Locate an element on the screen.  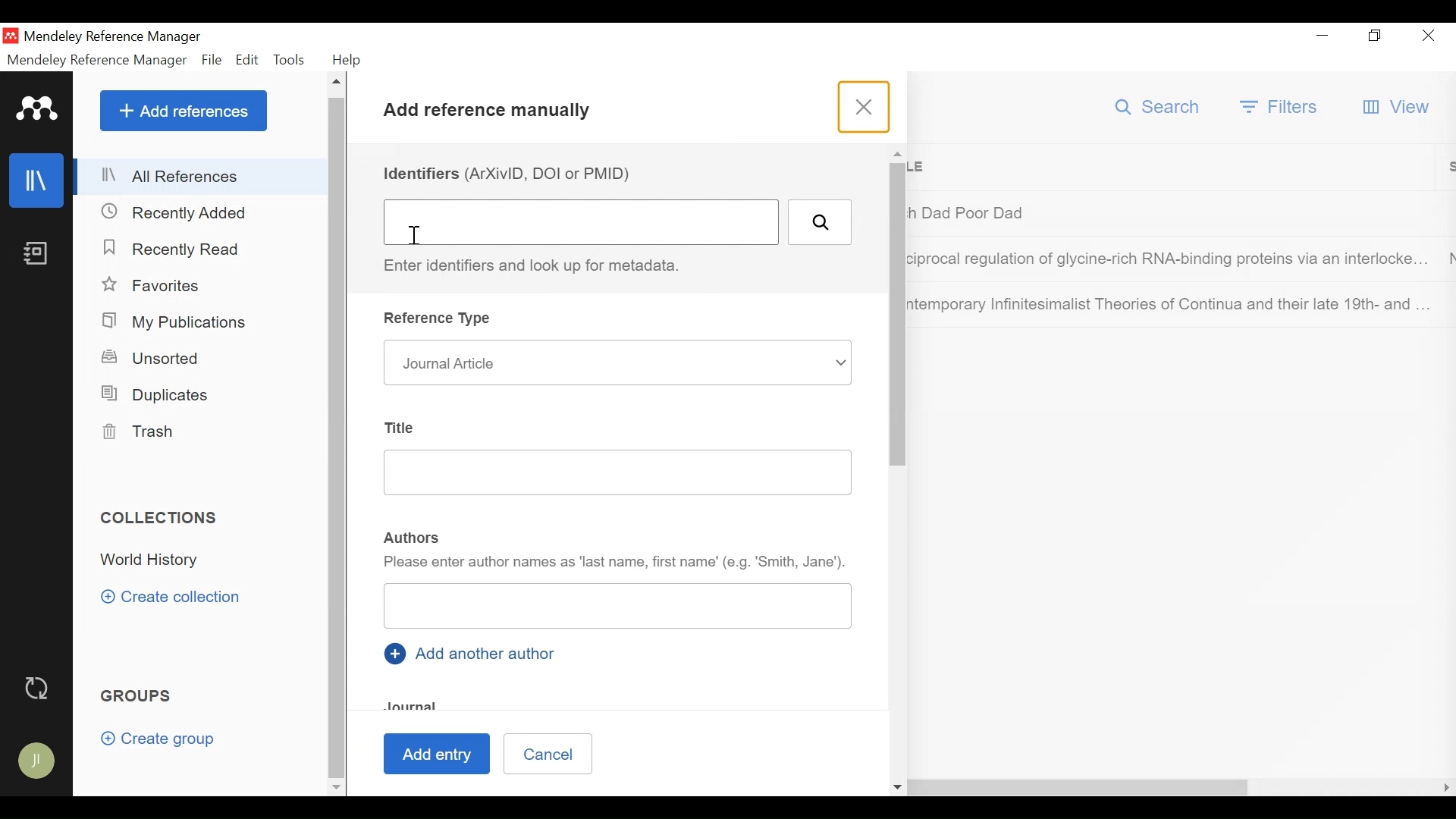
Sync is located at coordinates (36, 687).